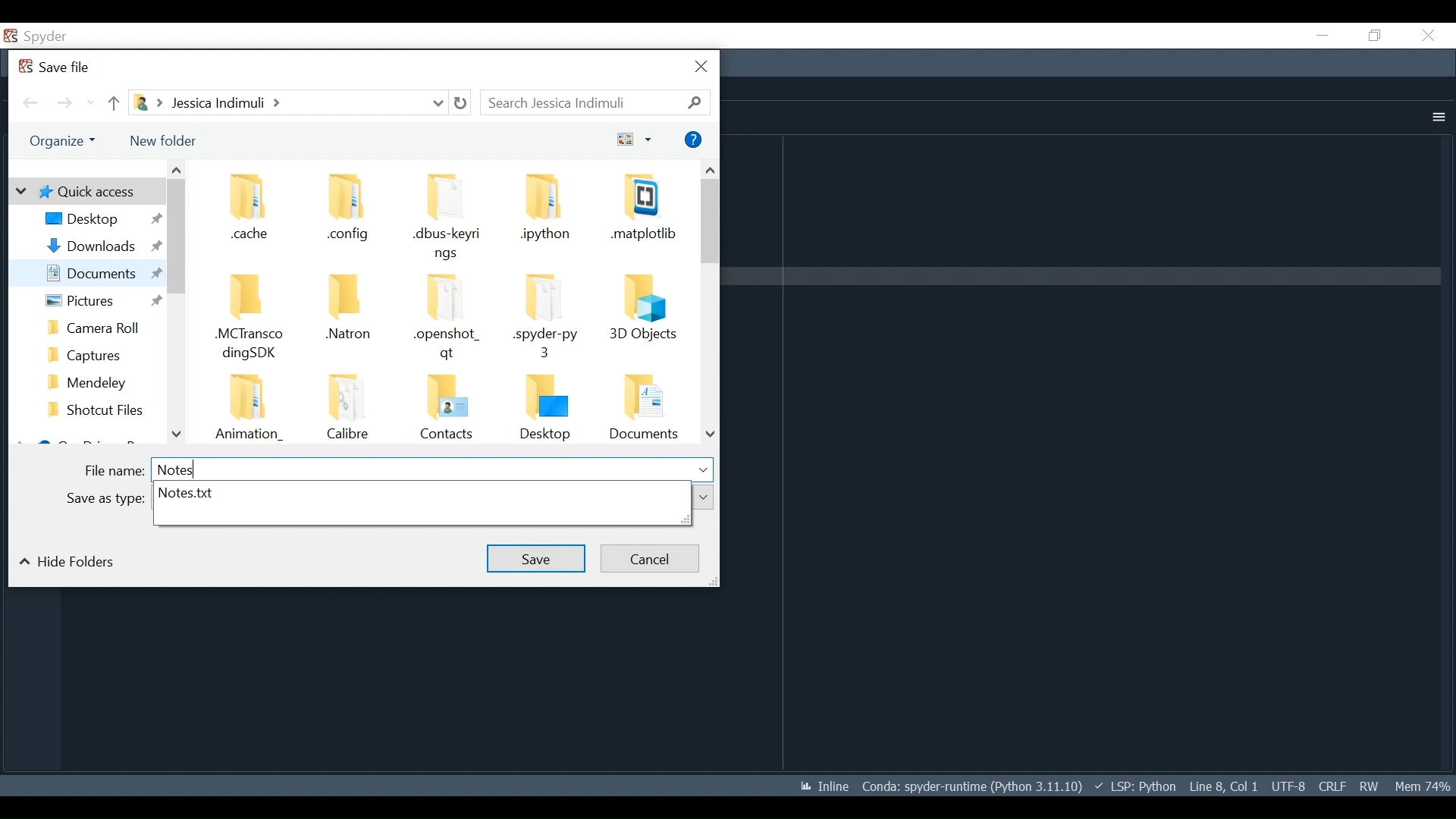  What do you see at coordinates (538, 559) in the screenshot?
I see `Save` at bounding box center [538, 559].